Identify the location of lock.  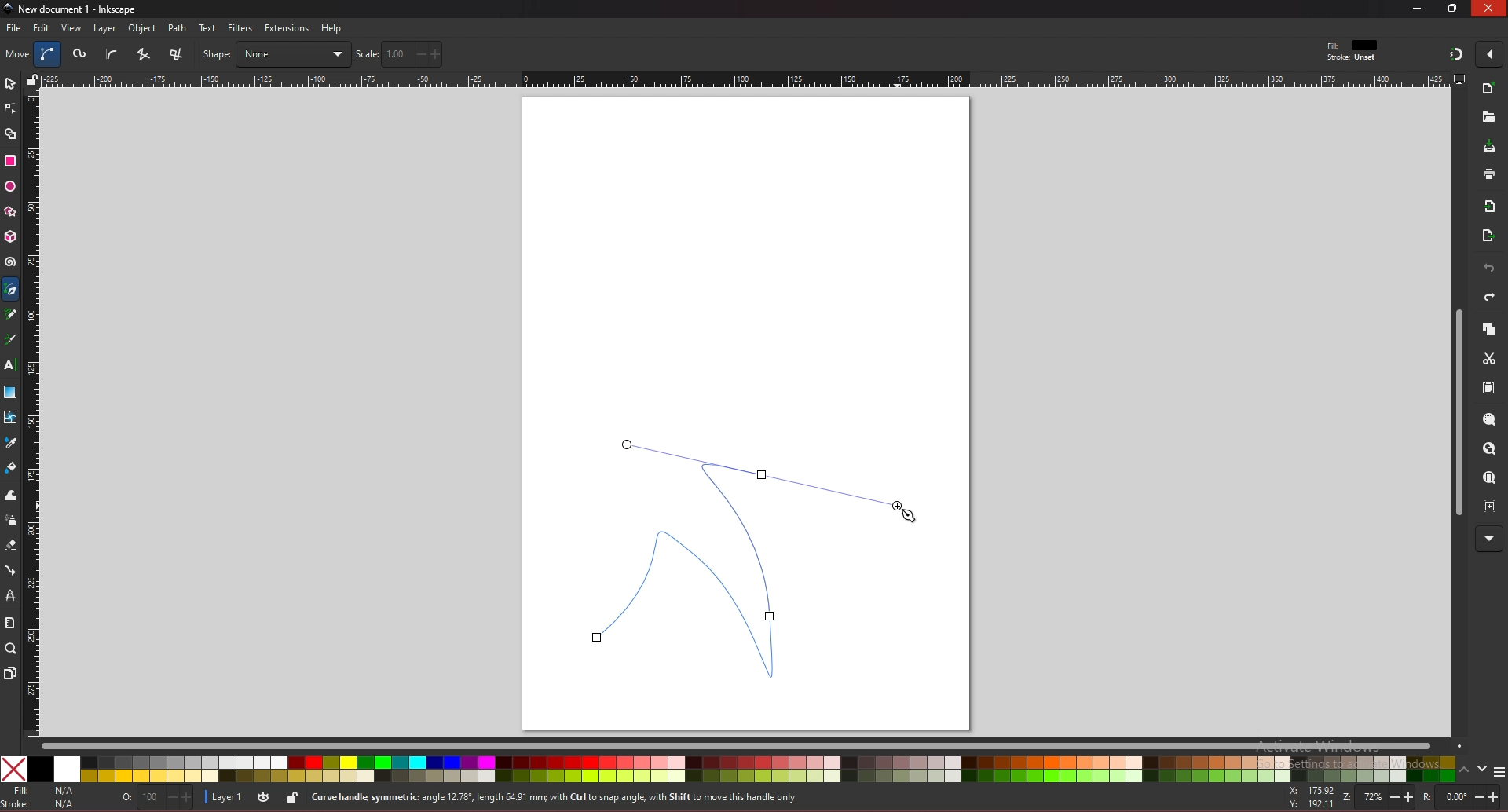
(292, 797).